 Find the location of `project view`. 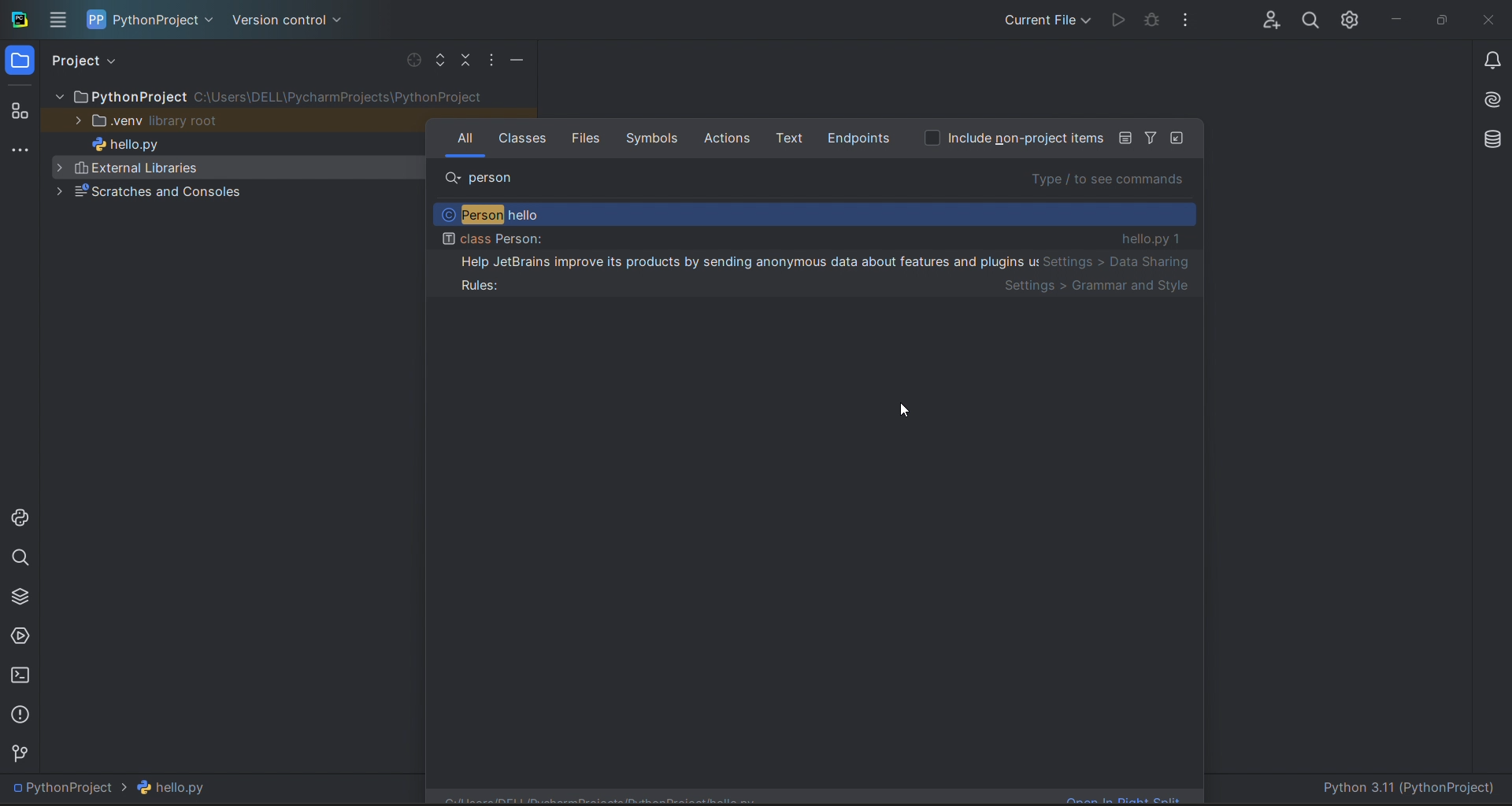

project view is located at coordinates (84, 61).